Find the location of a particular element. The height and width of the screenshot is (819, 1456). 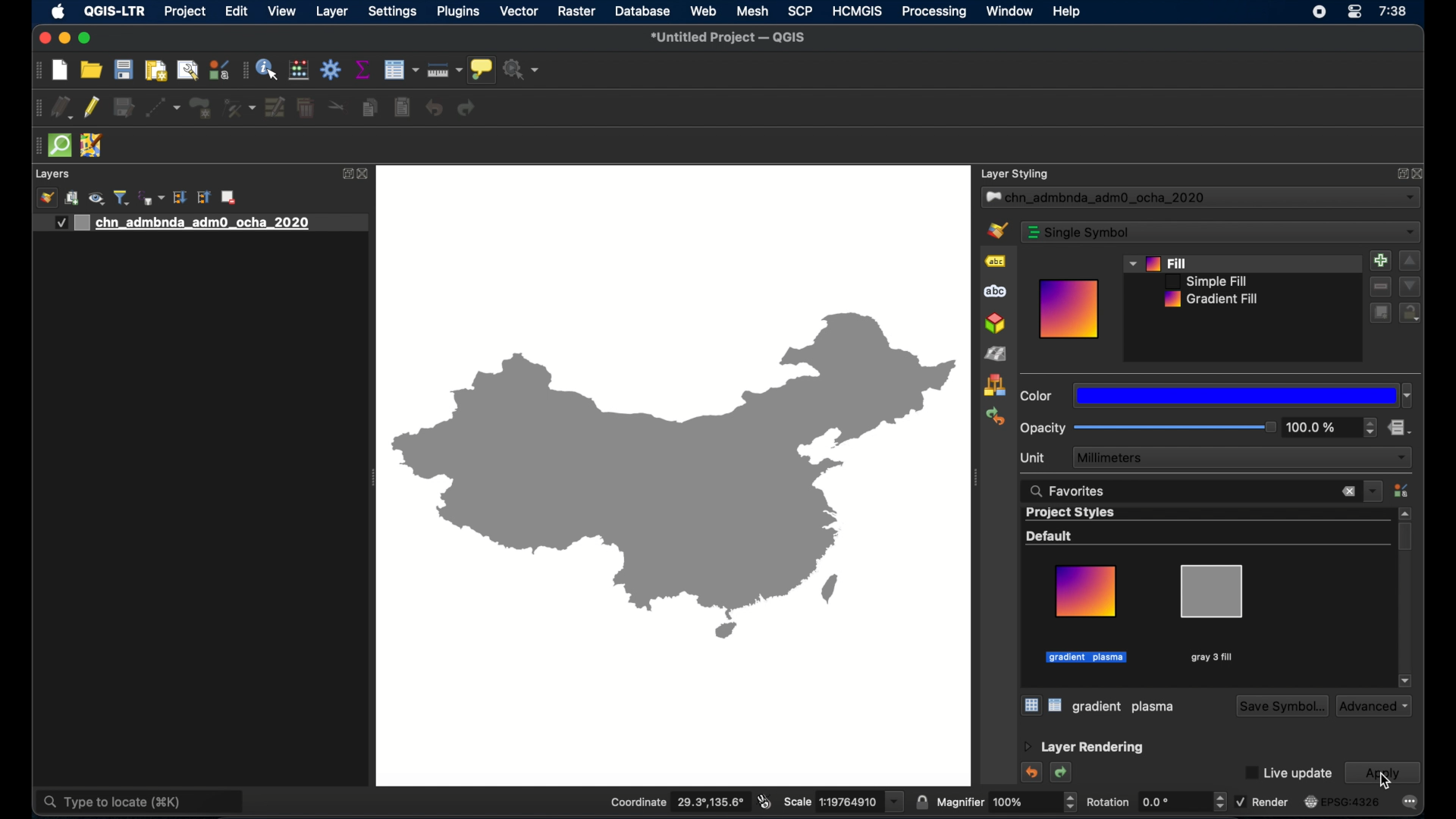

SCP is located at coordinates (801, 11).